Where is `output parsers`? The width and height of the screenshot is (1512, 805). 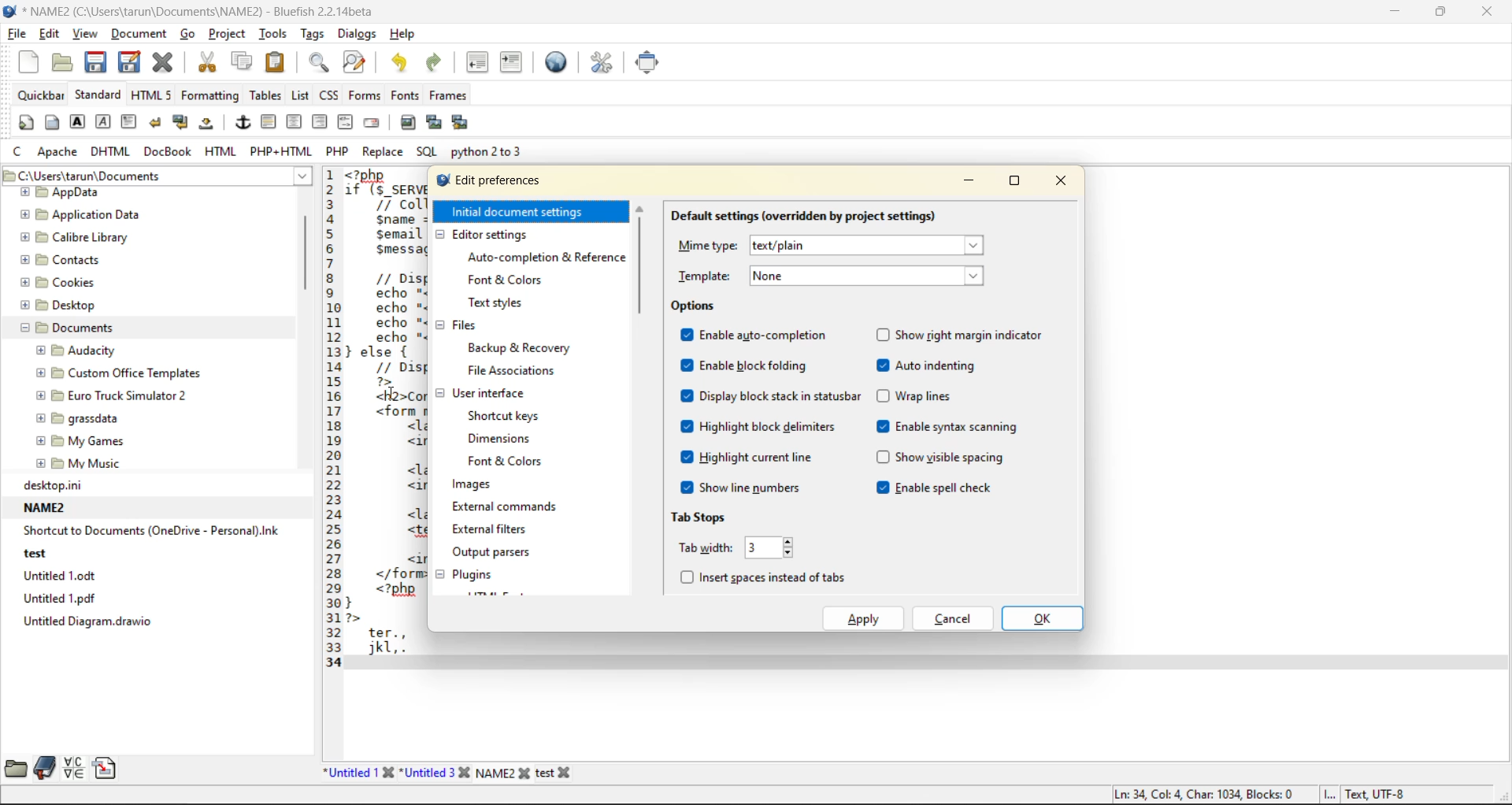
output parsers is located at coordinates (497, 554).